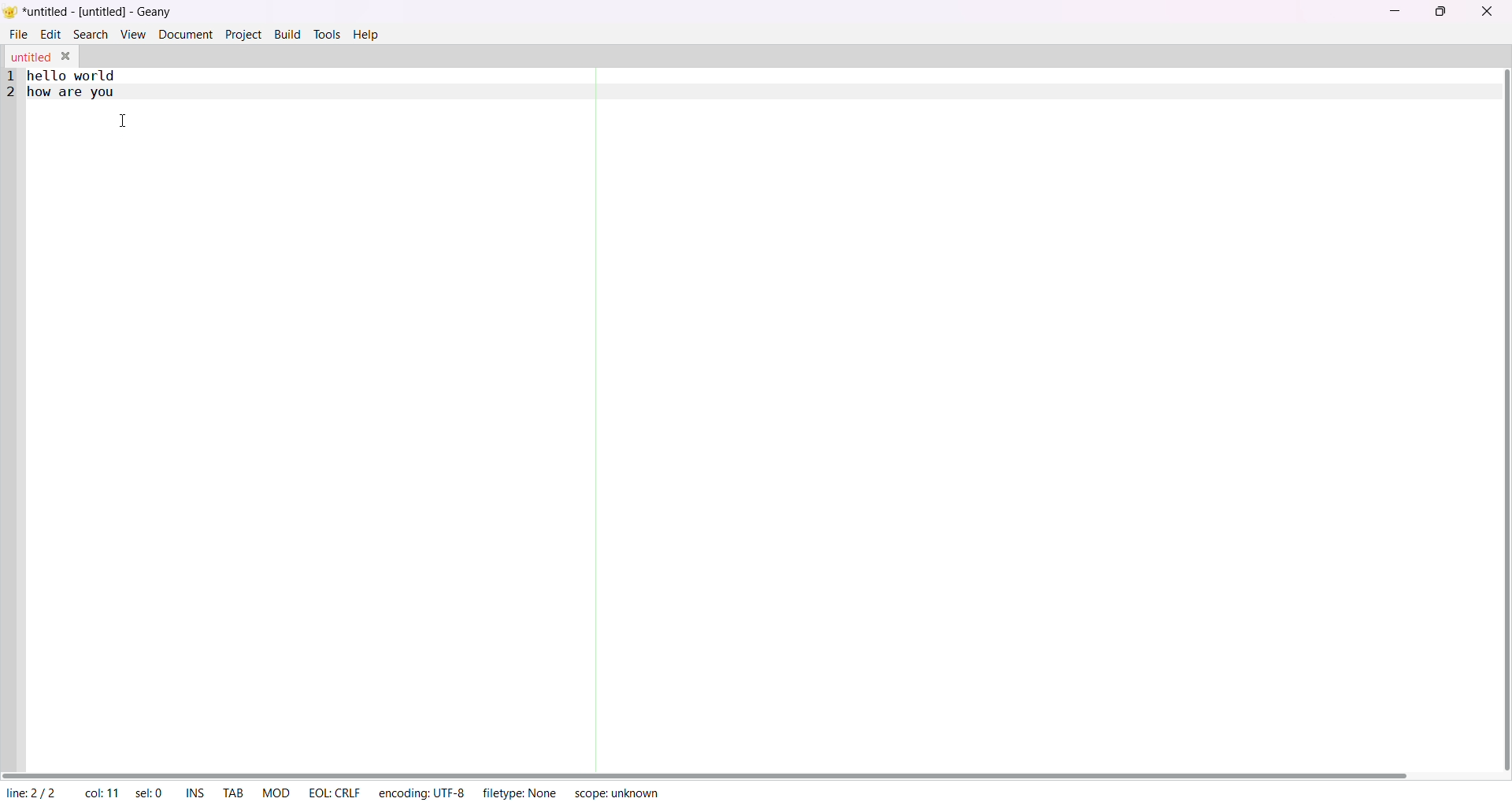  What do you see at coordinates (91, 34) in the screenshot?
I see `search` at bounding box center [91, 34].